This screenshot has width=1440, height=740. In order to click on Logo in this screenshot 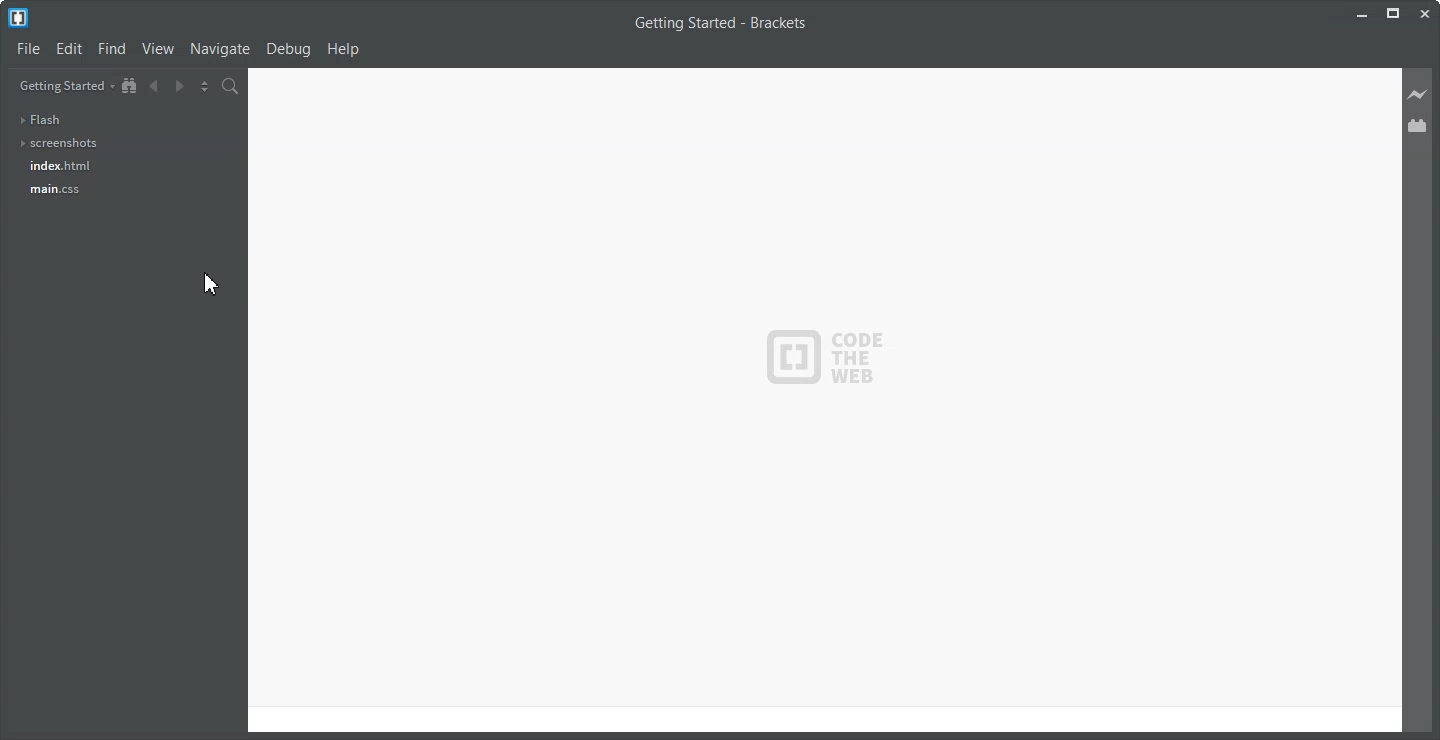, I will do `click(824, 356)`.